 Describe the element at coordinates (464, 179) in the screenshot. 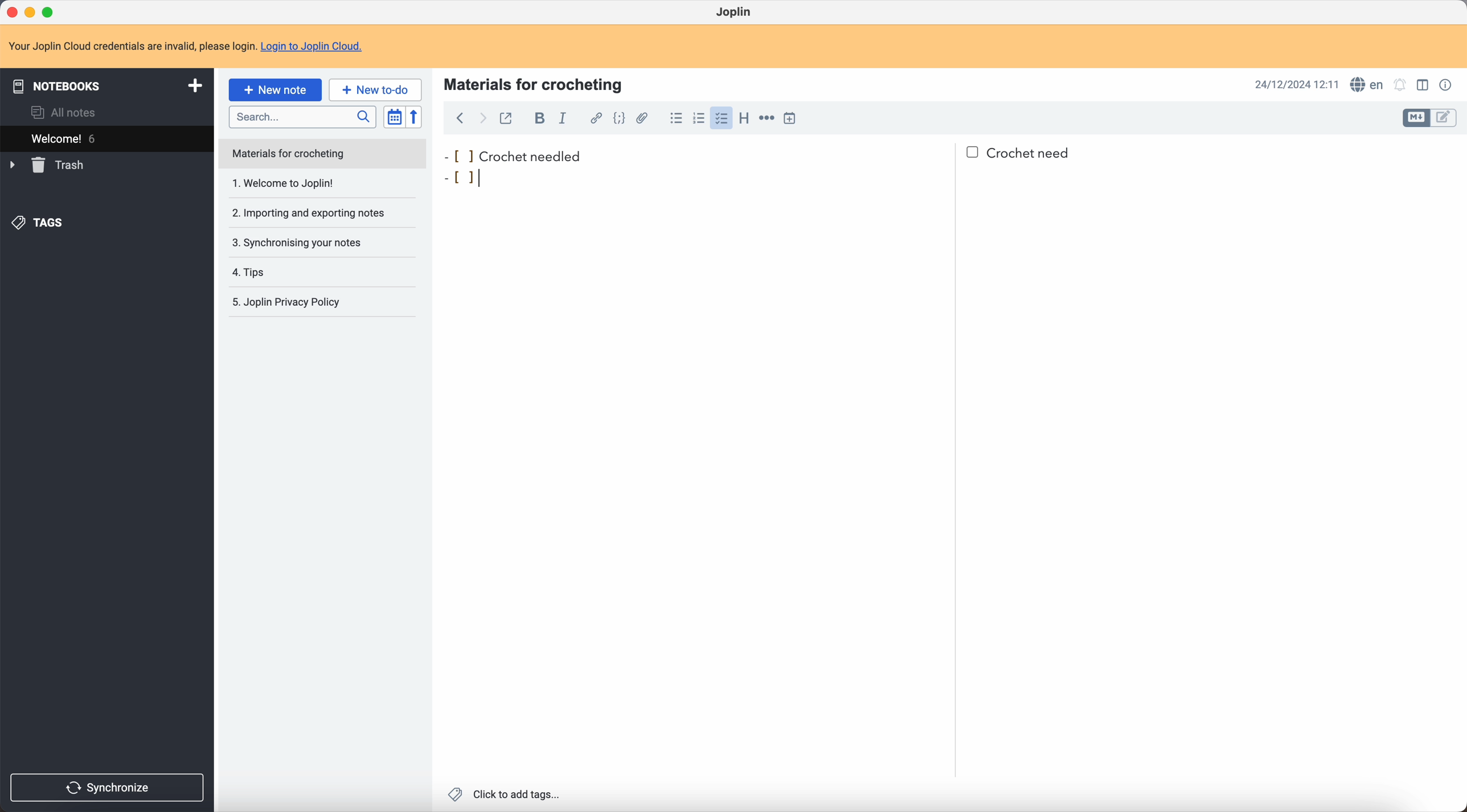

I see `bullet point` at that location.